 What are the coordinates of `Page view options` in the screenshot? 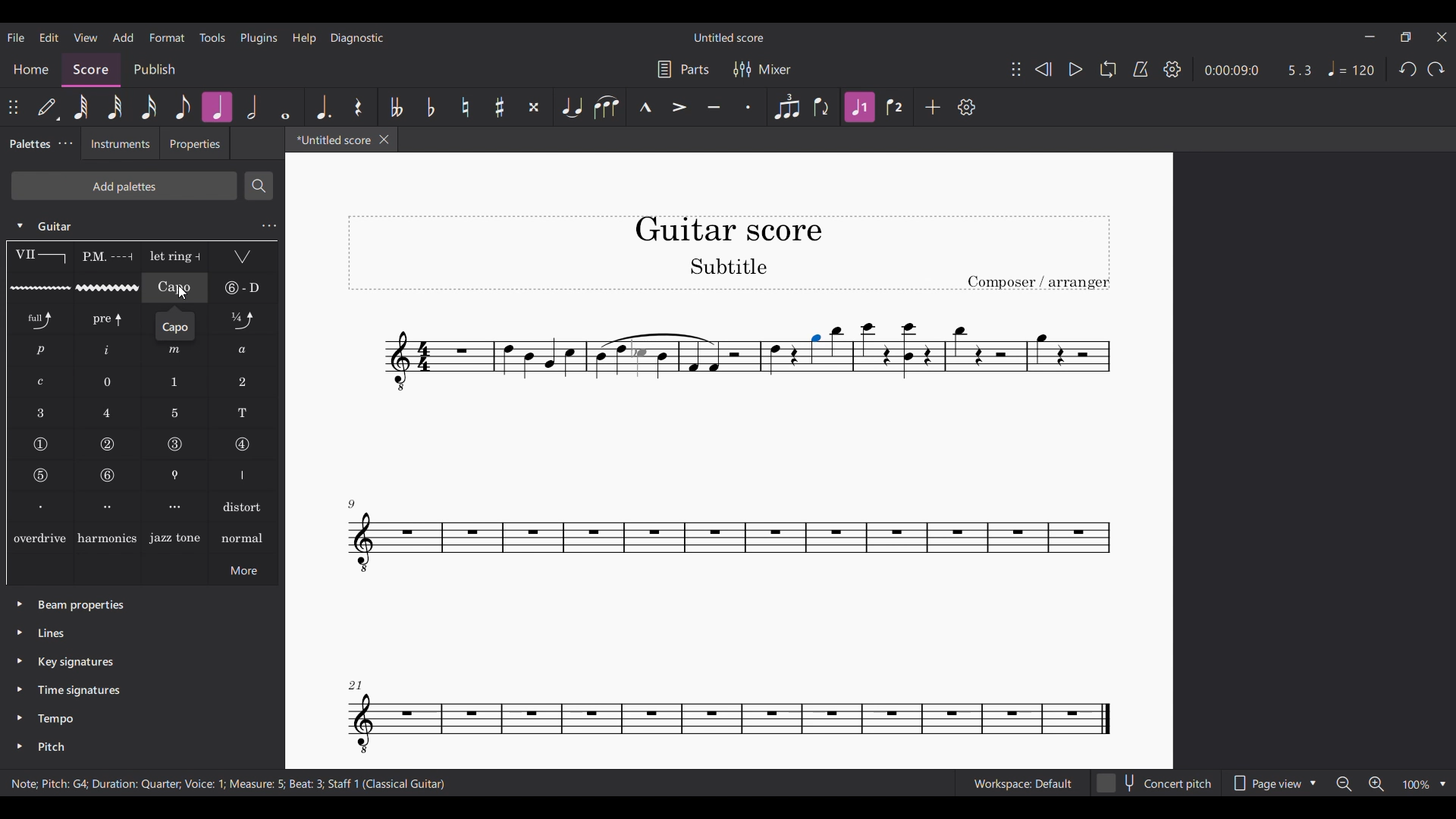 It's located at (1275, 783).